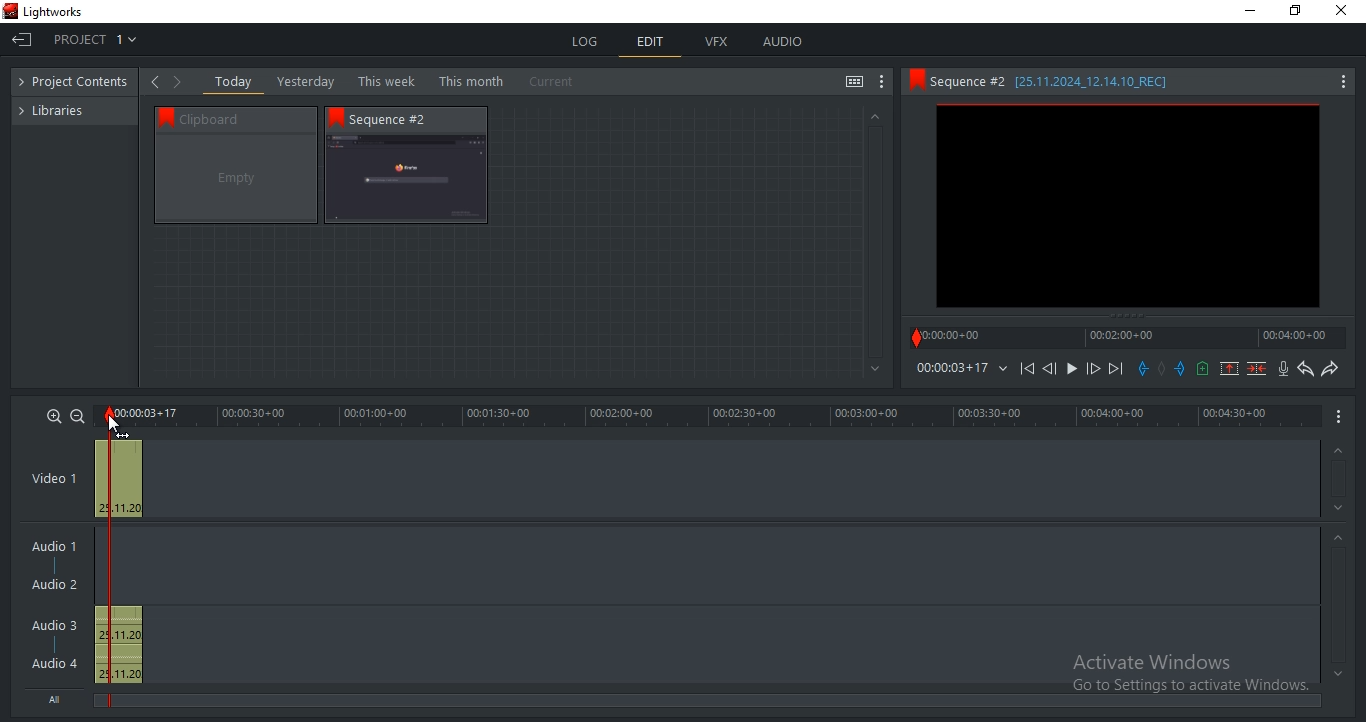 The height and width of the screenshot is (722, 1366). I want to click on Greyed out down arrow, so click(1338, 673).